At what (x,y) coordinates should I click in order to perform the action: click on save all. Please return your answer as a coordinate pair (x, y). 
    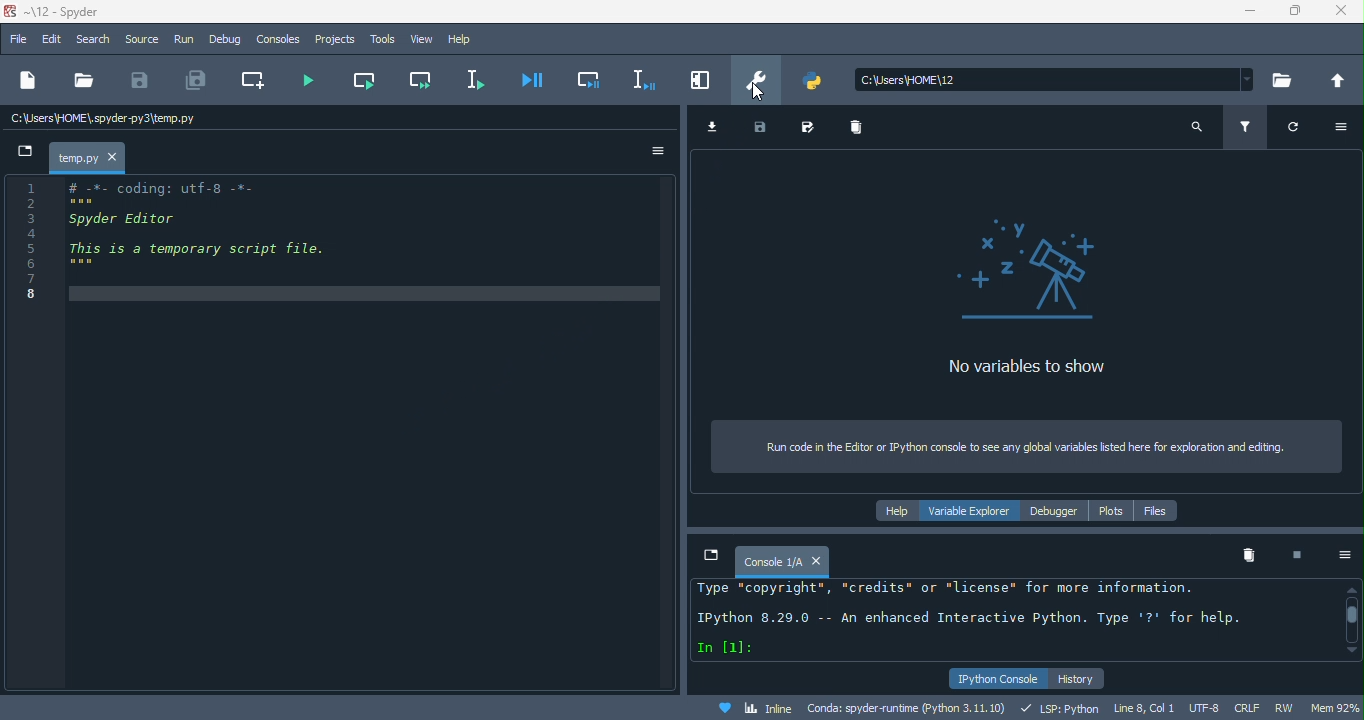
    Looking at the image, I should click on (197, 81).